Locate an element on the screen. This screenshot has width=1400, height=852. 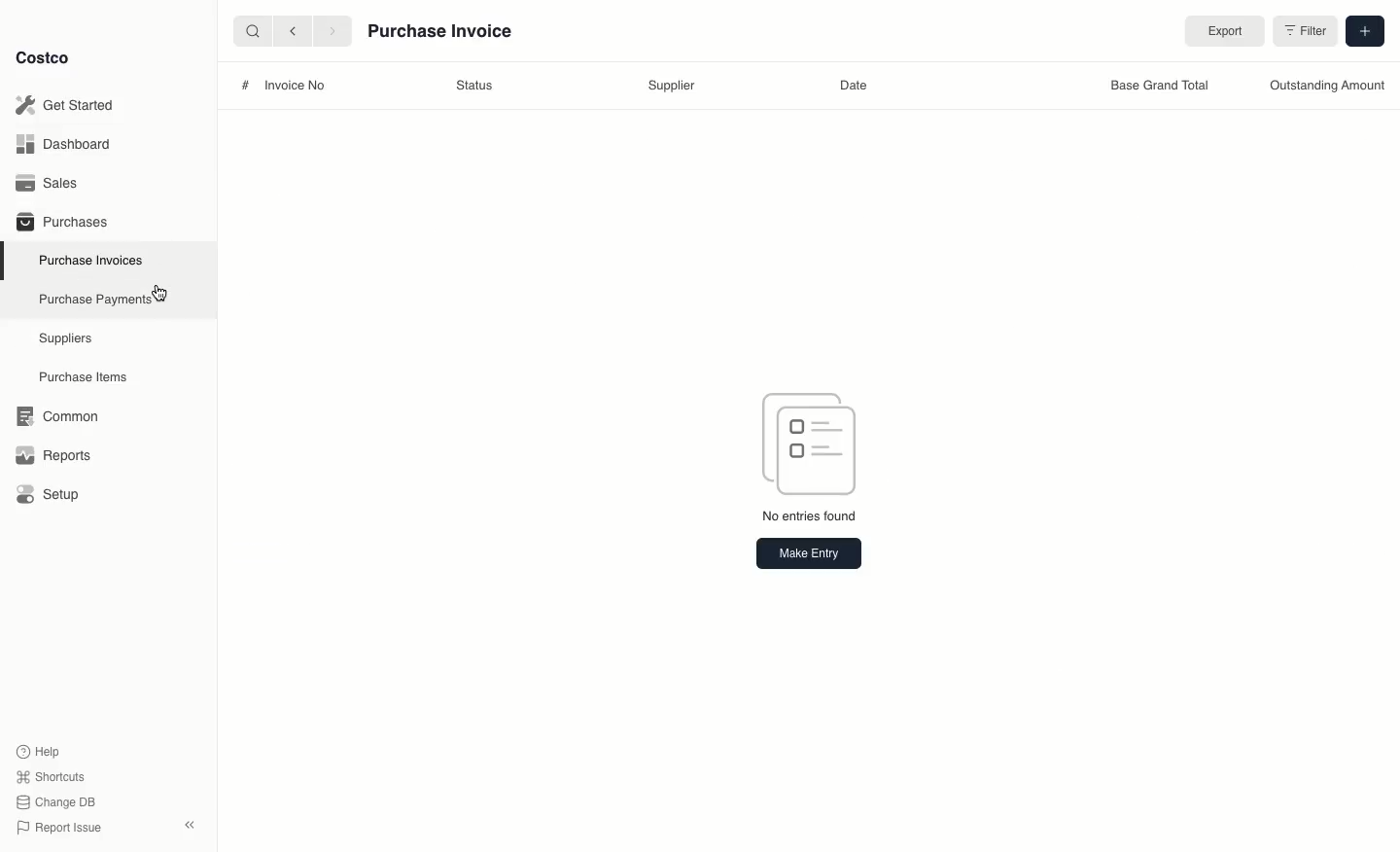
No entries found is located at coordinates (812, 518).